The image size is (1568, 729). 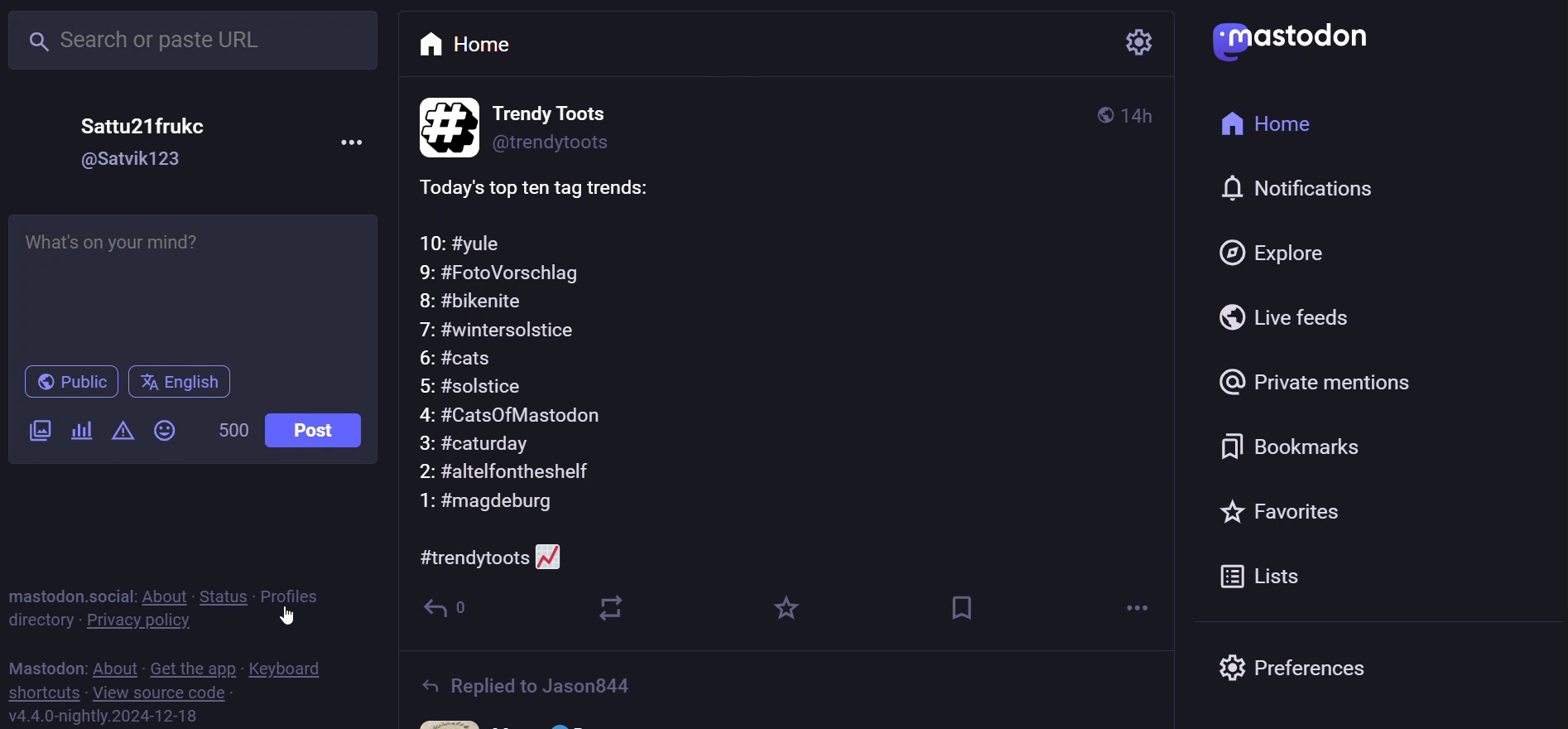 What do you see at coordinates (116, 668) in the screenshot?
I see `about` at bounding box center [116, 668].